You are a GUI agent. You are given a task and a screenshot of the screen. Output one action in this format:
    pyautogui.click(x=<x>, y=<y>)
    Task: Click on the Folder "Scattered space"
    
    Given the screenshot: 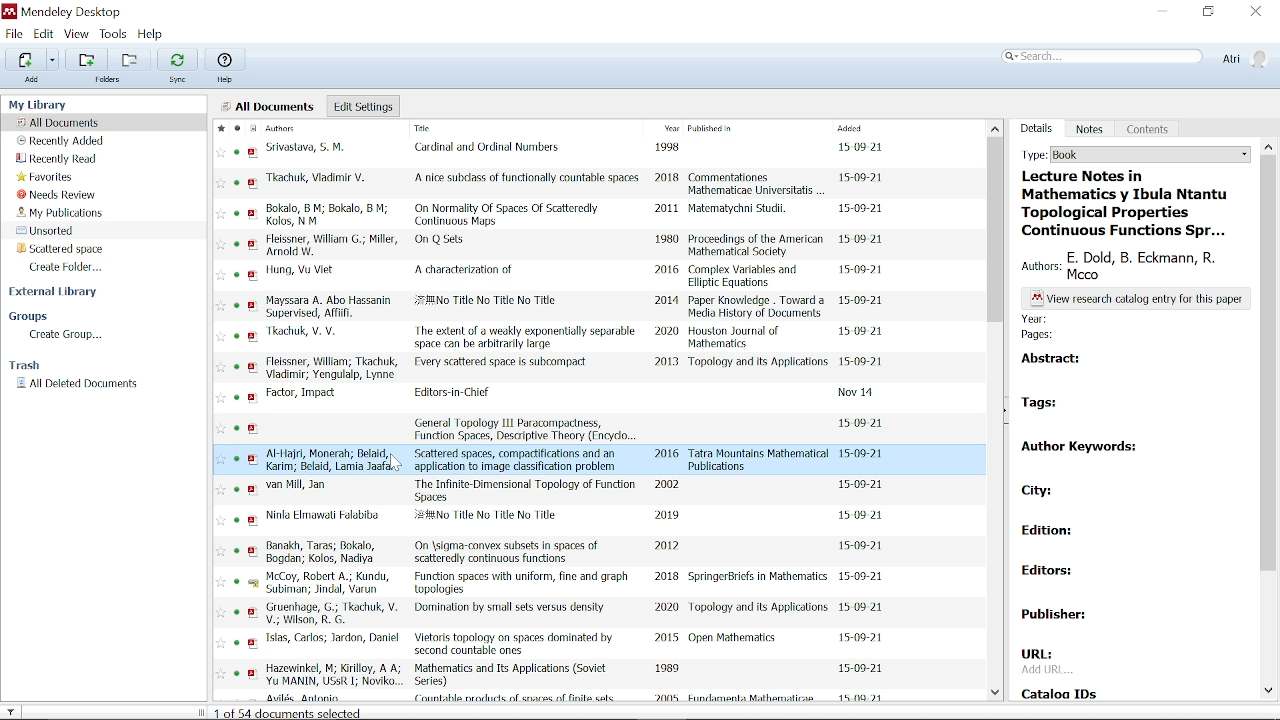 What is the action you would take?
    pyautogui.click(x=60, y=248)
    